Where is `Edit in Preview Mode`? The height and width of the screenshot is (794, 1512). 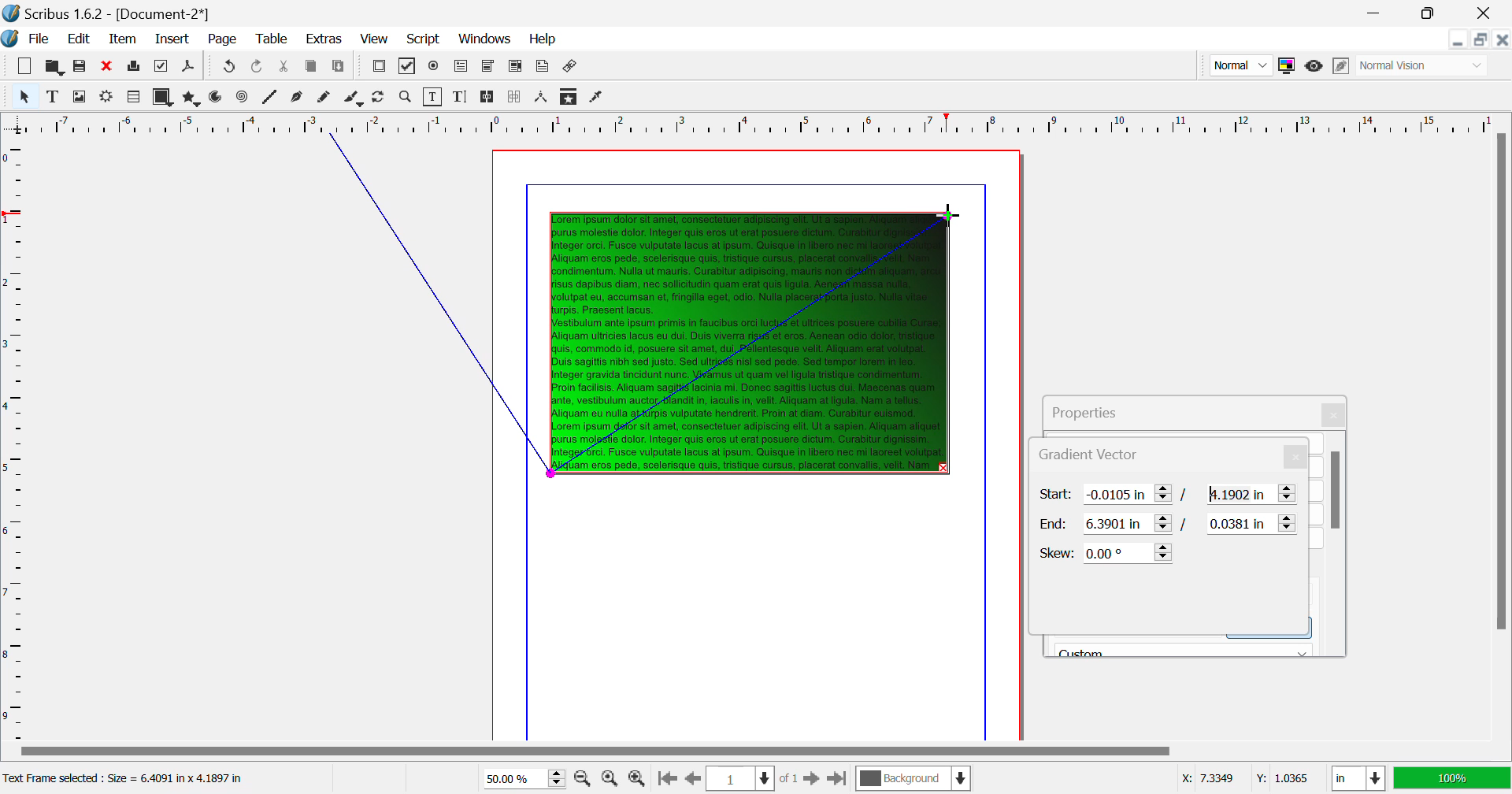
Edit in Preview Mode is located at coordinates (1343, 66).